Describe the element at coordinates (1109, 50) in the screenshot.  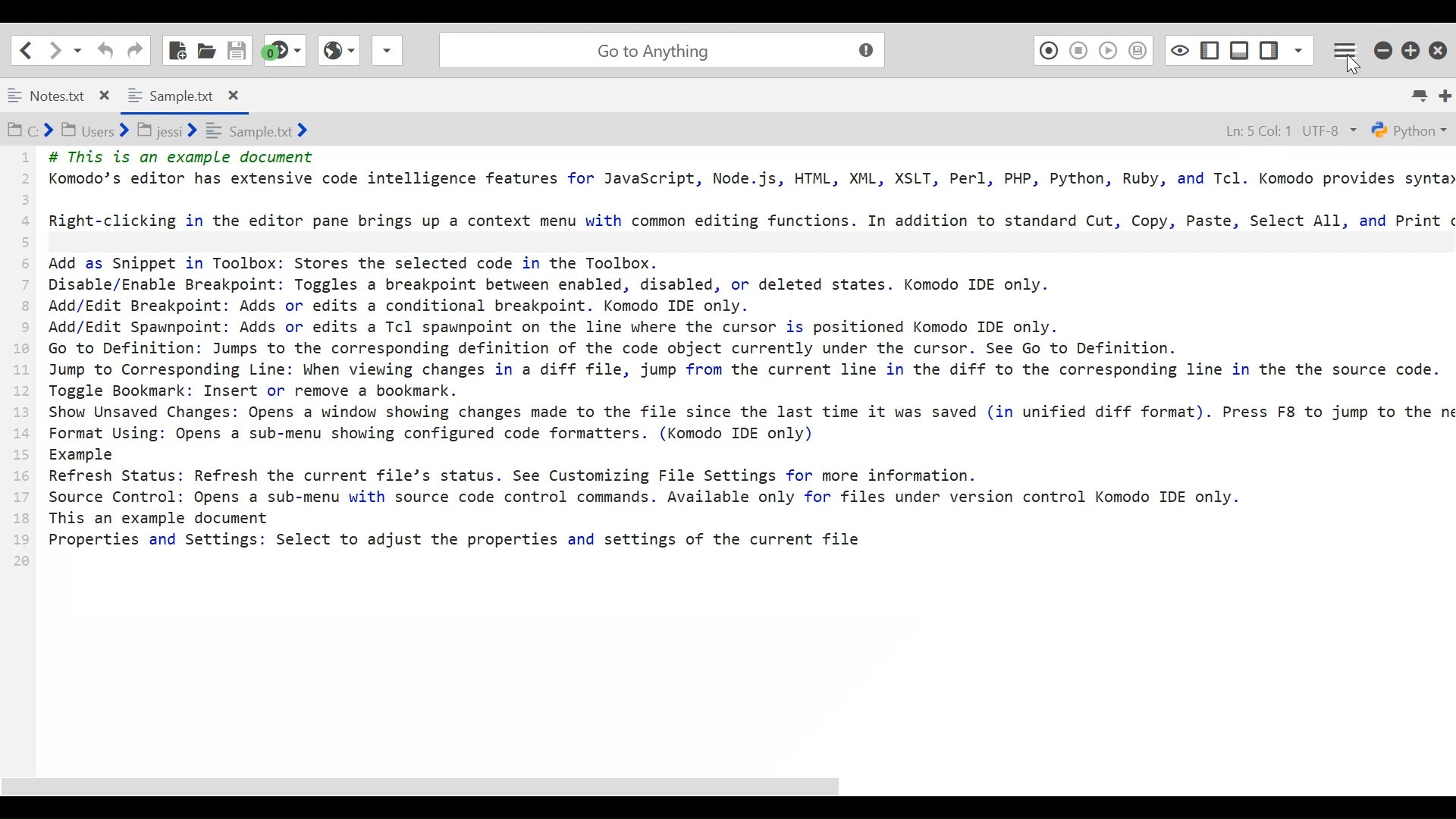
I see `Play Last Macro` at that location.